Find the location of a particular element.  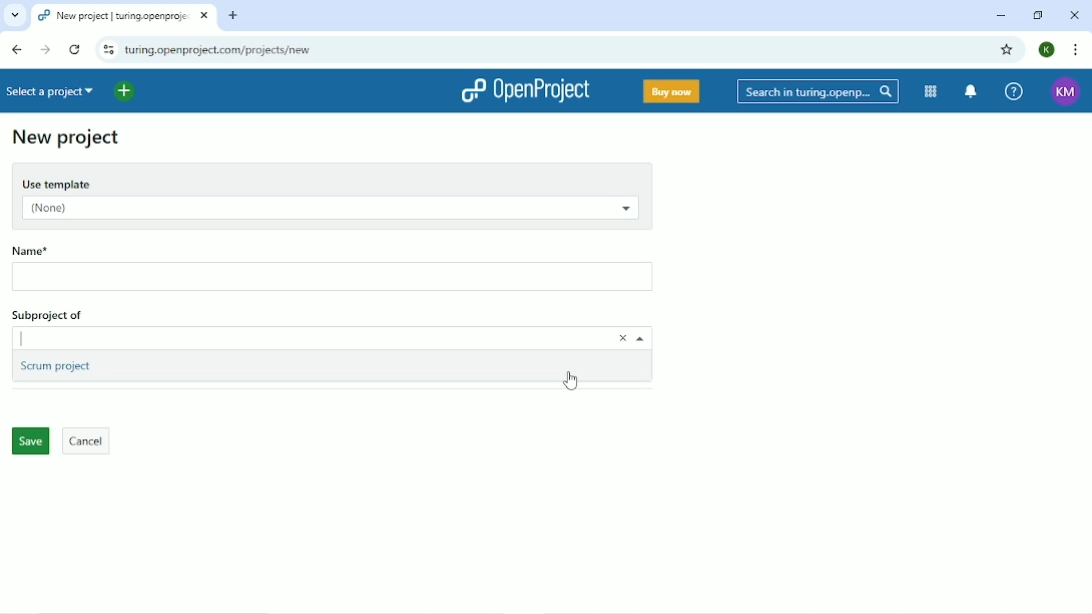

New tab is located at coordinates (234, 15).